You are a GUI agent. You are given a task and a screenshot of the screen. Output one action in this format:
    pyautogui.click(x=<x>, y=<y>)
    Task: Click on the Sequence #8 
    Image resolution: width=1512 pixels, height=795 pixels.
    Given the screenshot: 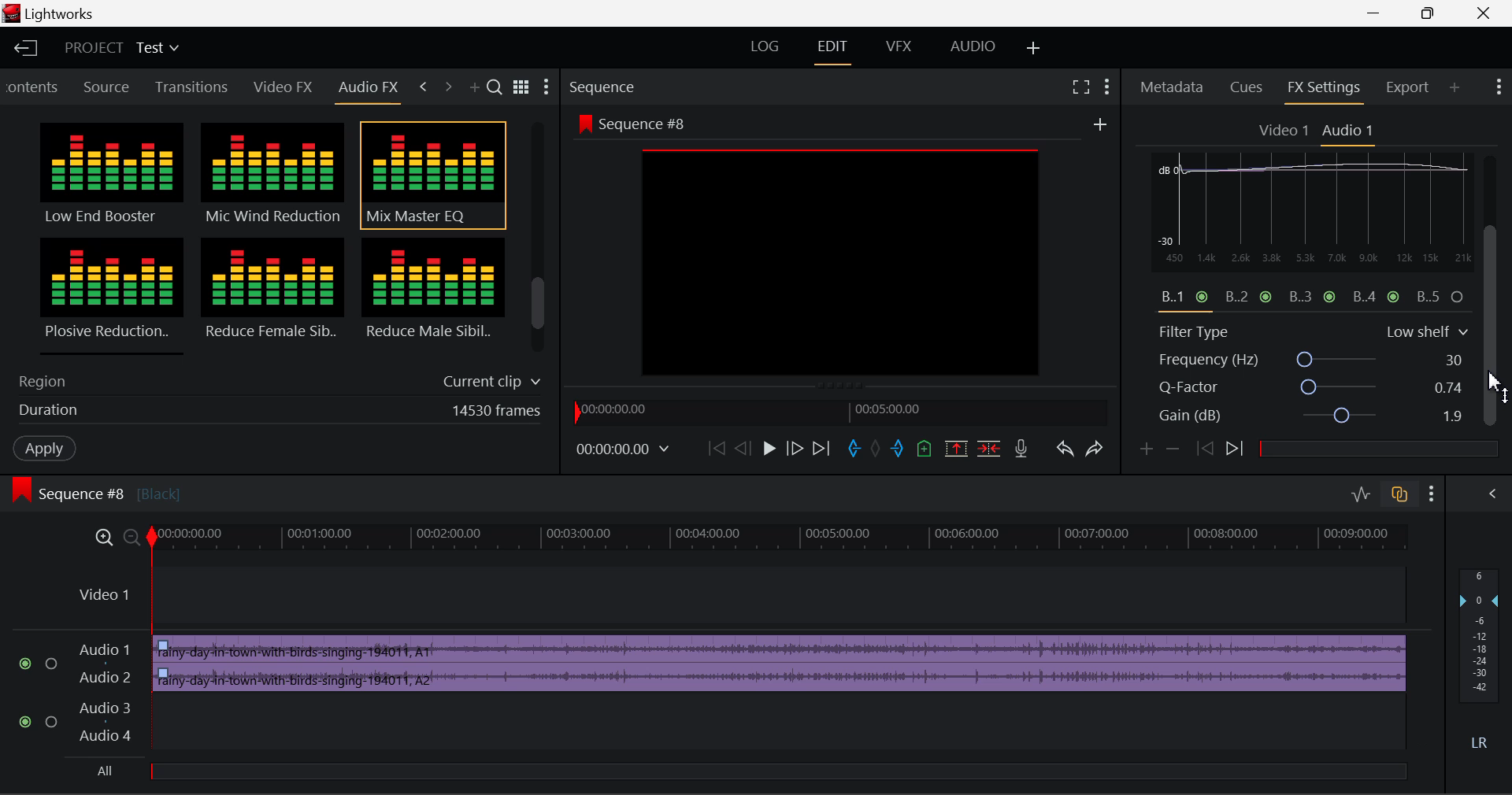 What is the action you would take?
    pyautogui.click(x=630, y=120)
    